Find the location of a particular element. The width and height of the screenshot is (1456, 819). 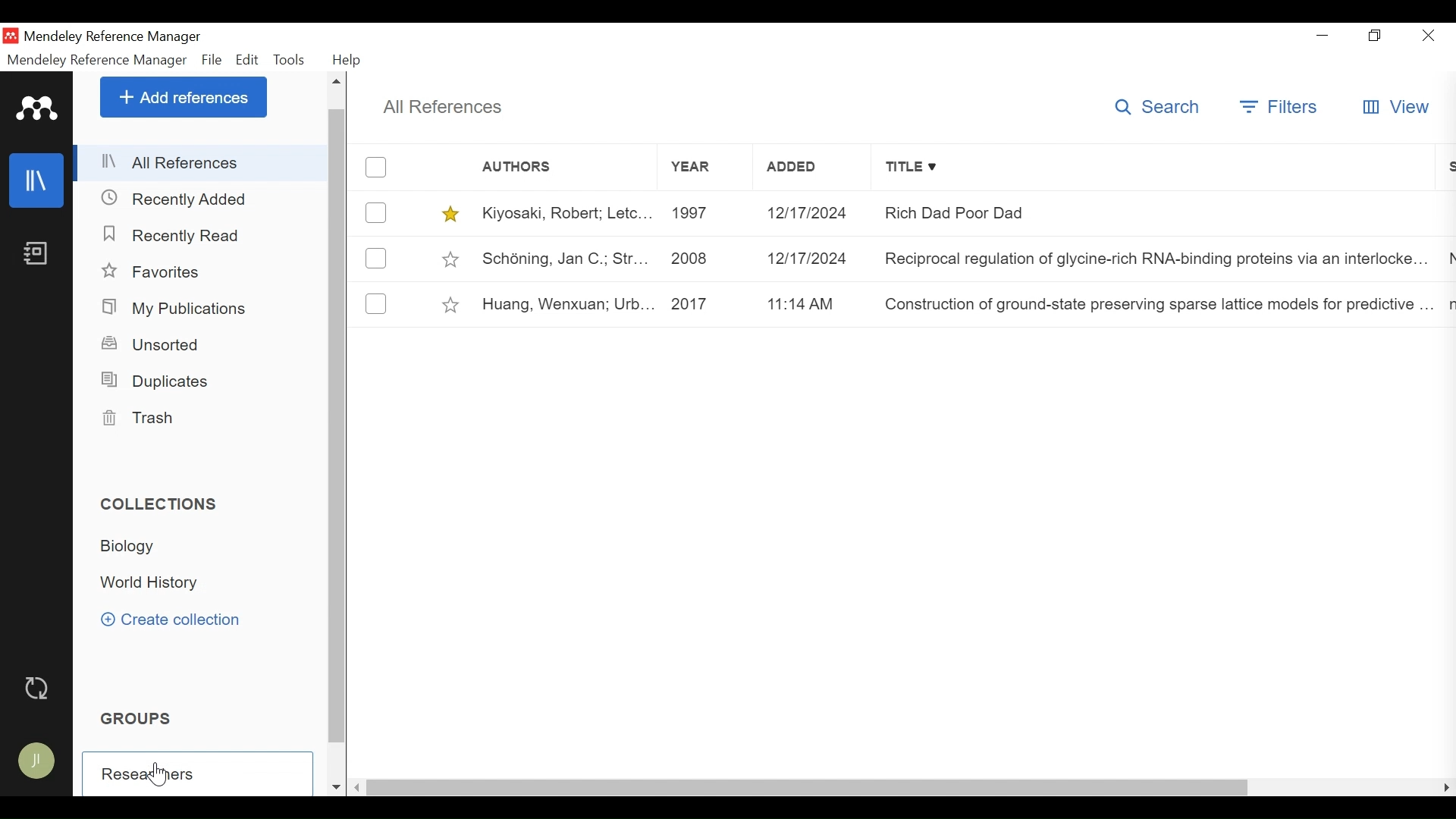

2017 is located at coordinates (706, 304).